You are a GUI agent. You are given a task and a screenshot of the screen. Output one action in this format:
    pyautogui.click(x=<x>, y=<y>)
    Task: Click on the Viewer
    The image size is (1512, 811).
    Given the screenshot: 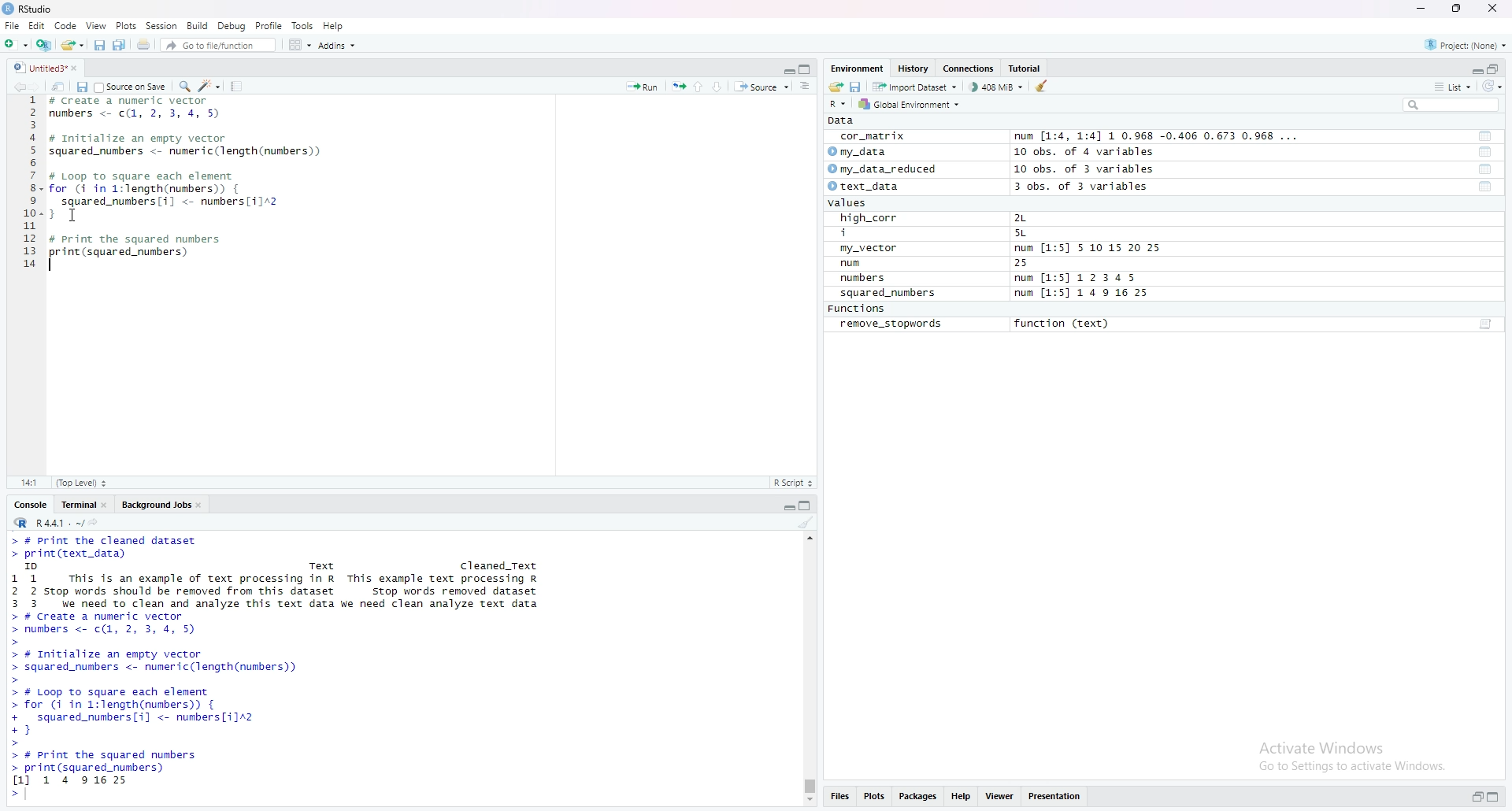 What is the action you would take?
    pyautogui.click(x=1000, y=798)
    